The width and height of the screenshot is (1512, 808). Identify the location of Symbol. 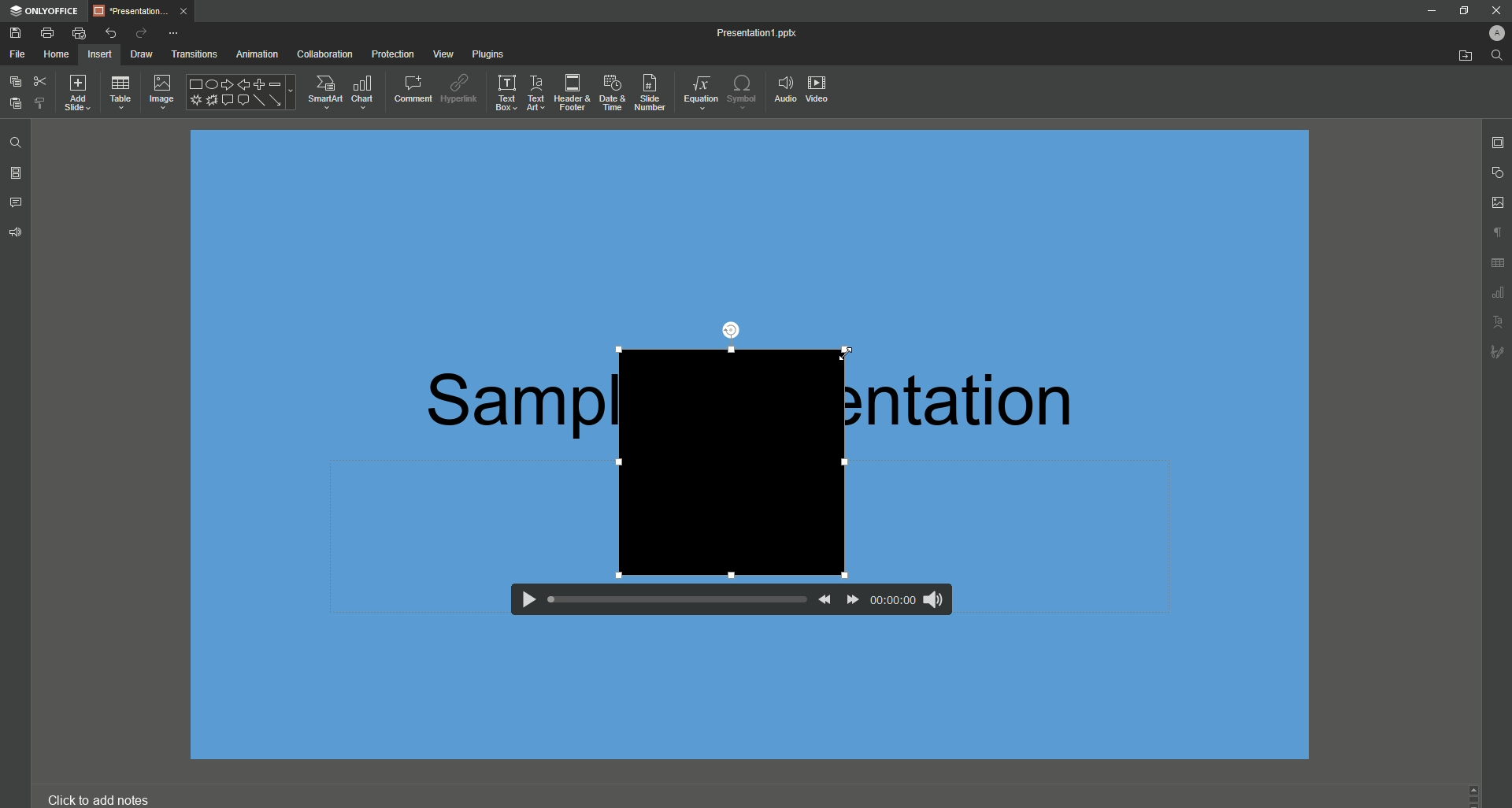
(743, 91).